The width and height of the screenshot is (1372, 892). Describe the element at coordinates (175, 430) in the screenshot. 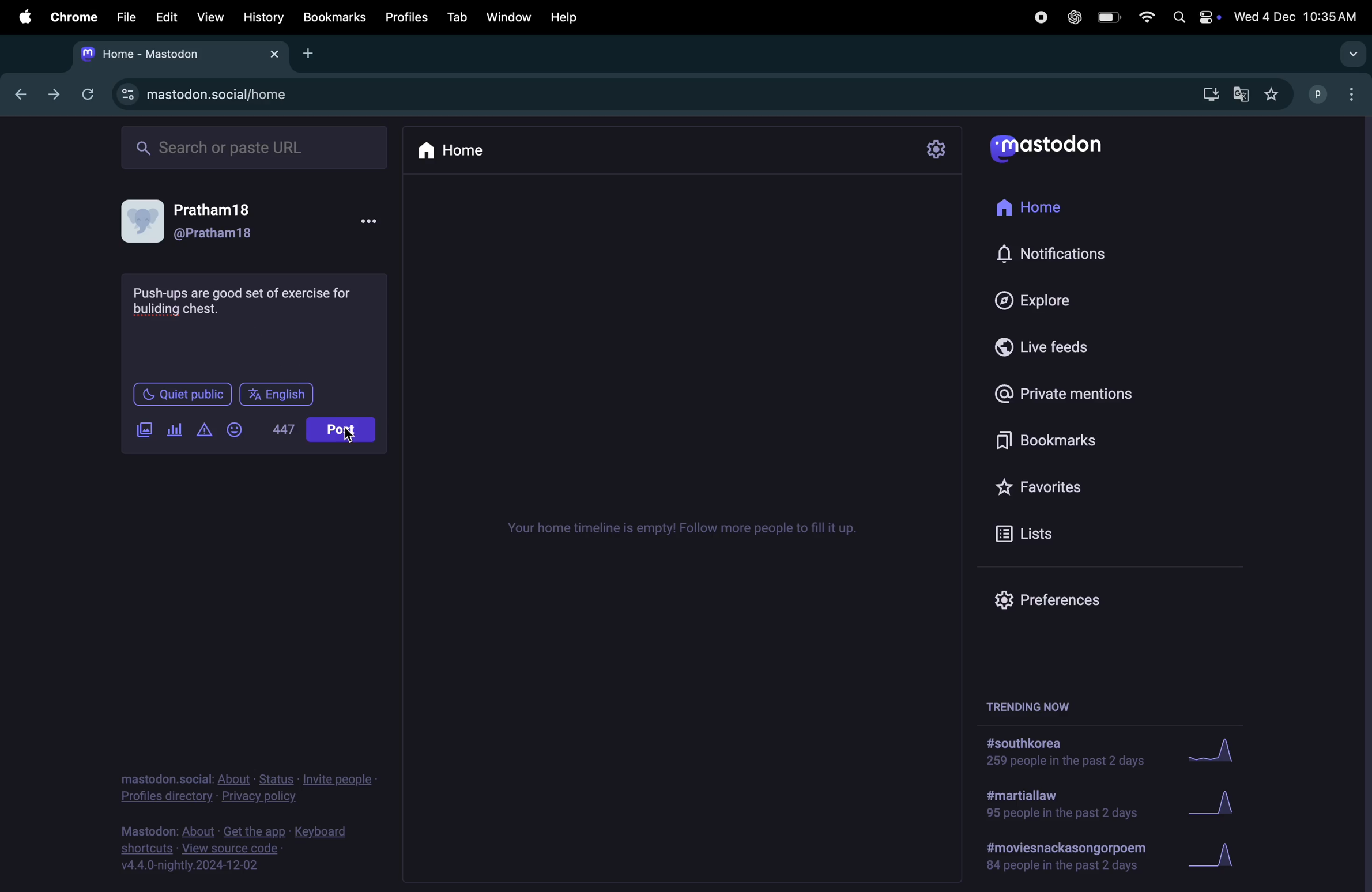

I see `poll` at that location.